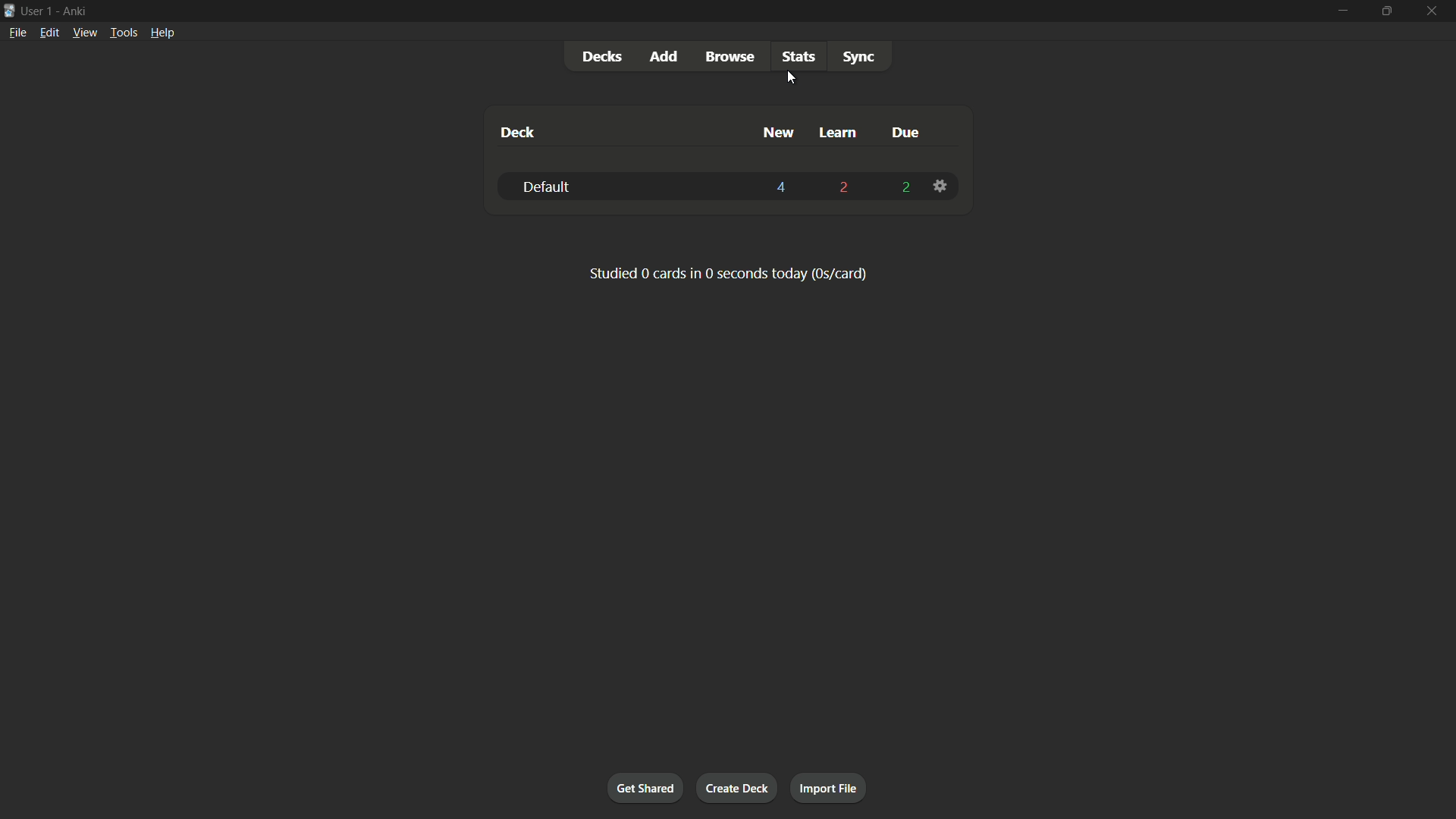 This screenshot has width=1456, height=819. Describe the element at coordinates (85, 33) in the screenshot. I see `view menu` at that location.